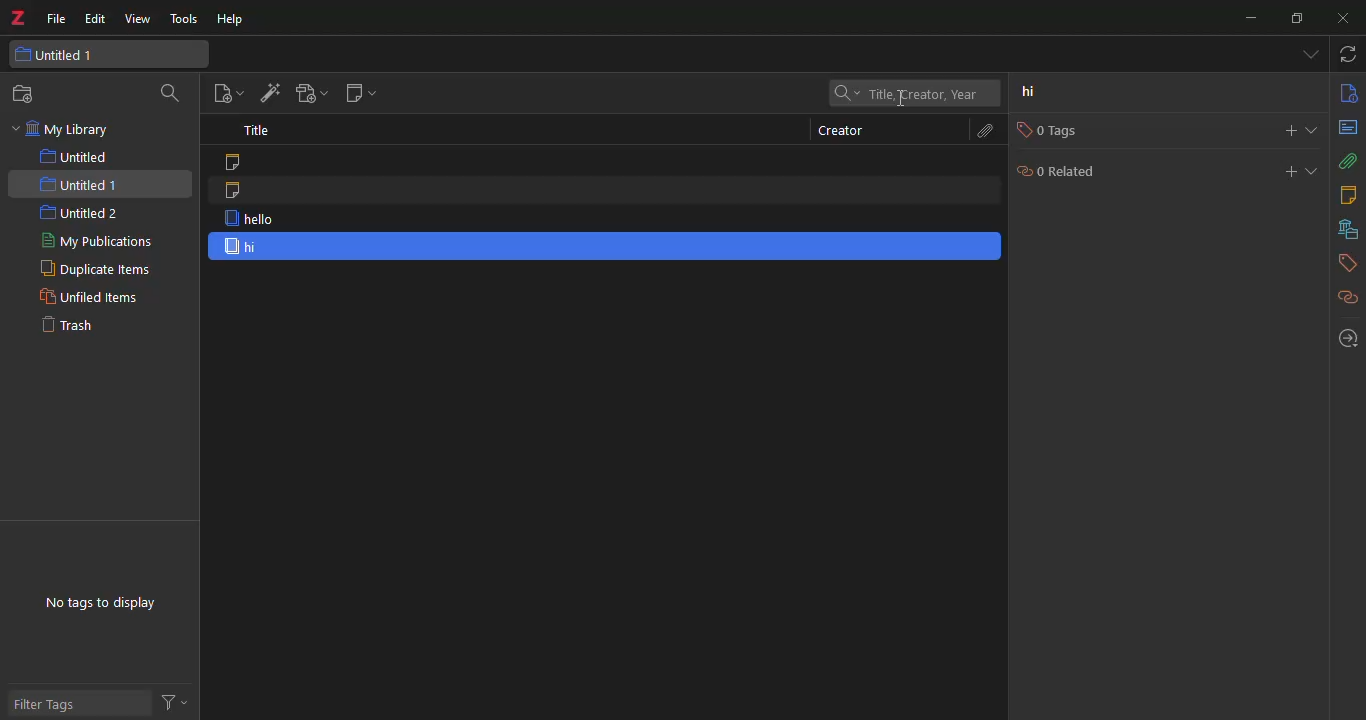  I want to click on title, creator, year, so click(910, 92).